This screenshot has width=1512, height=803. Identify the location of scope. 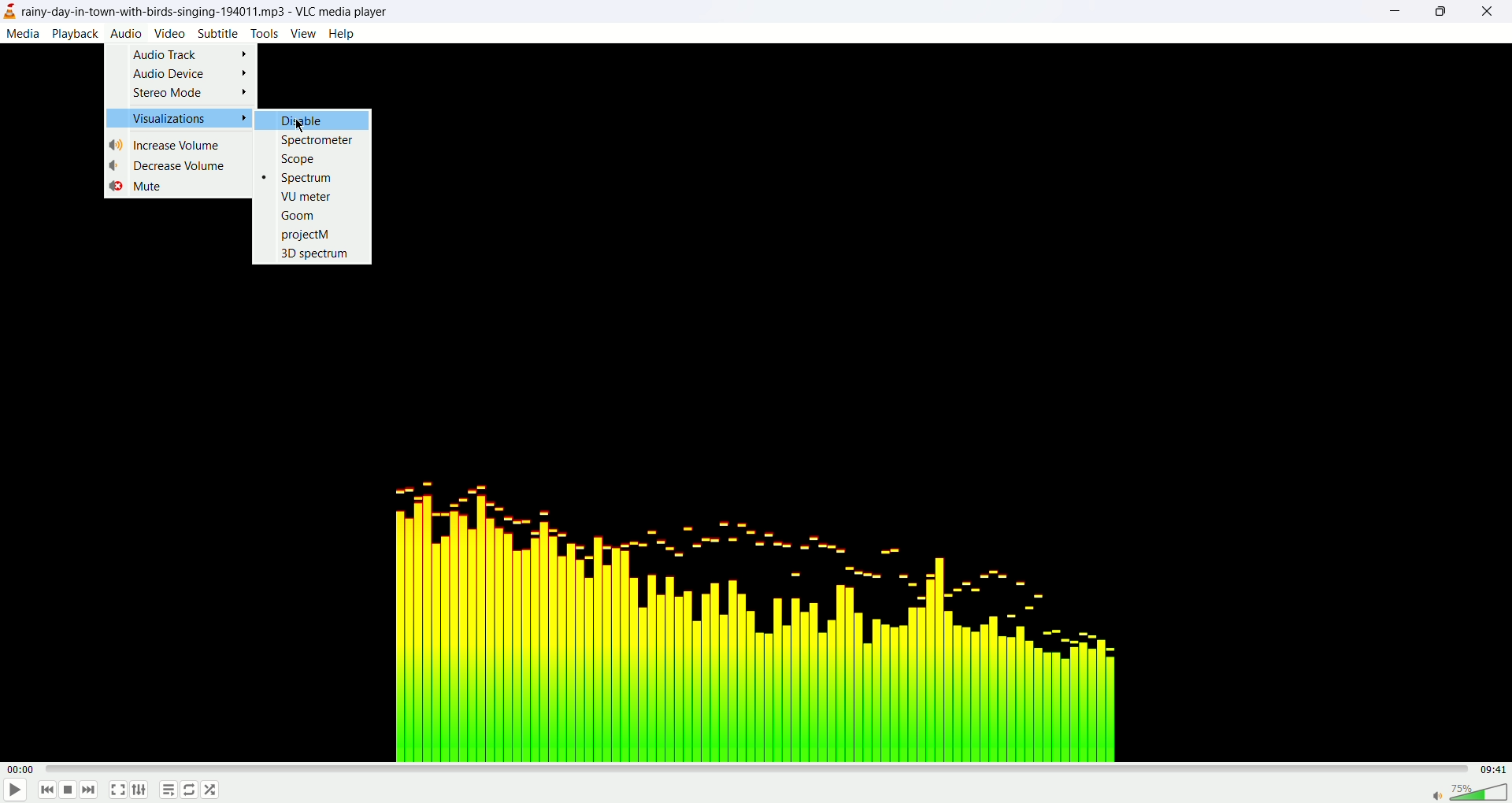
(297, 159).